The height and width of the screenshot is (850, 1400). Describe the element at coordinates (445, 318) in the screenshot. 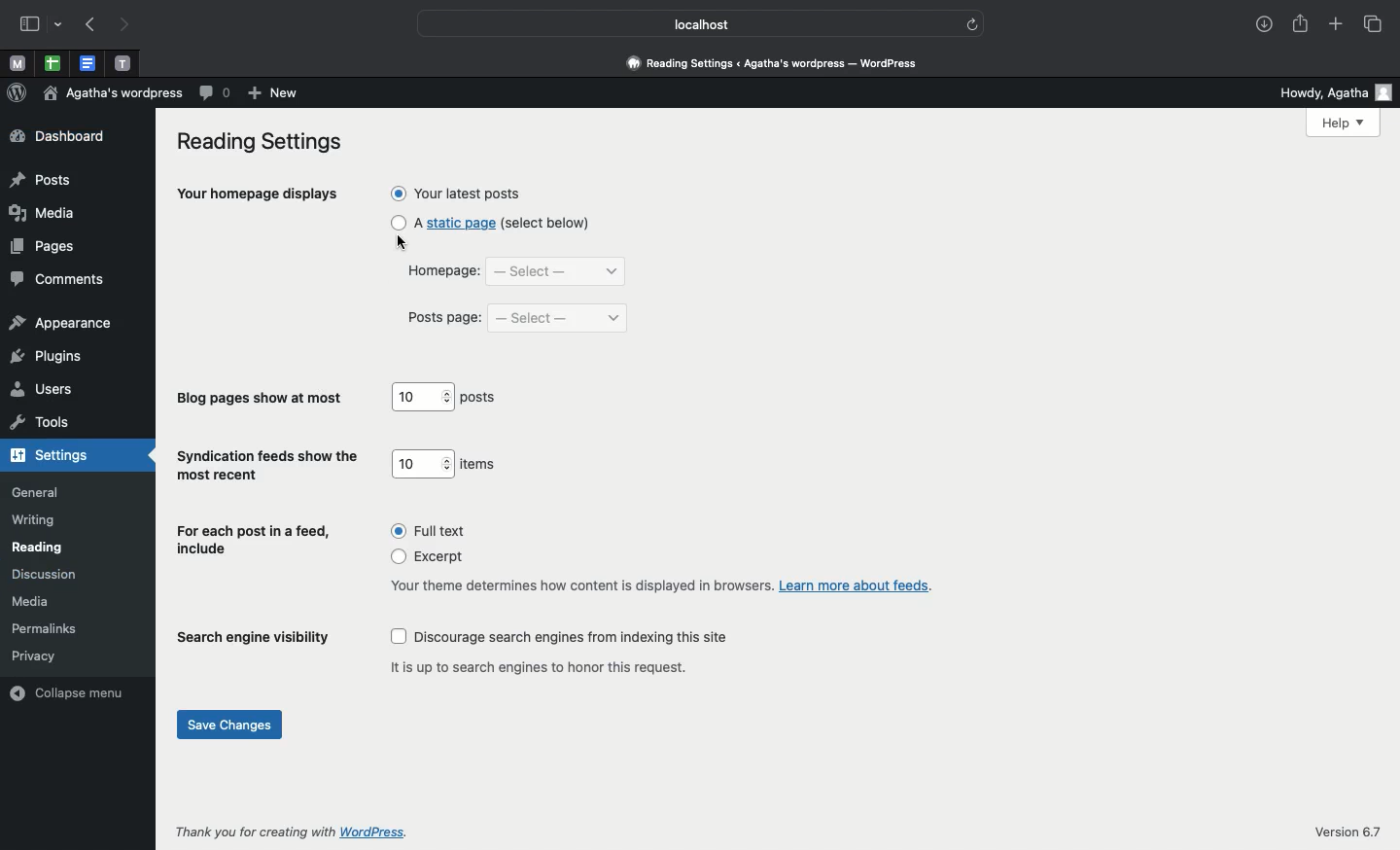

I see `Posts page` at that location.